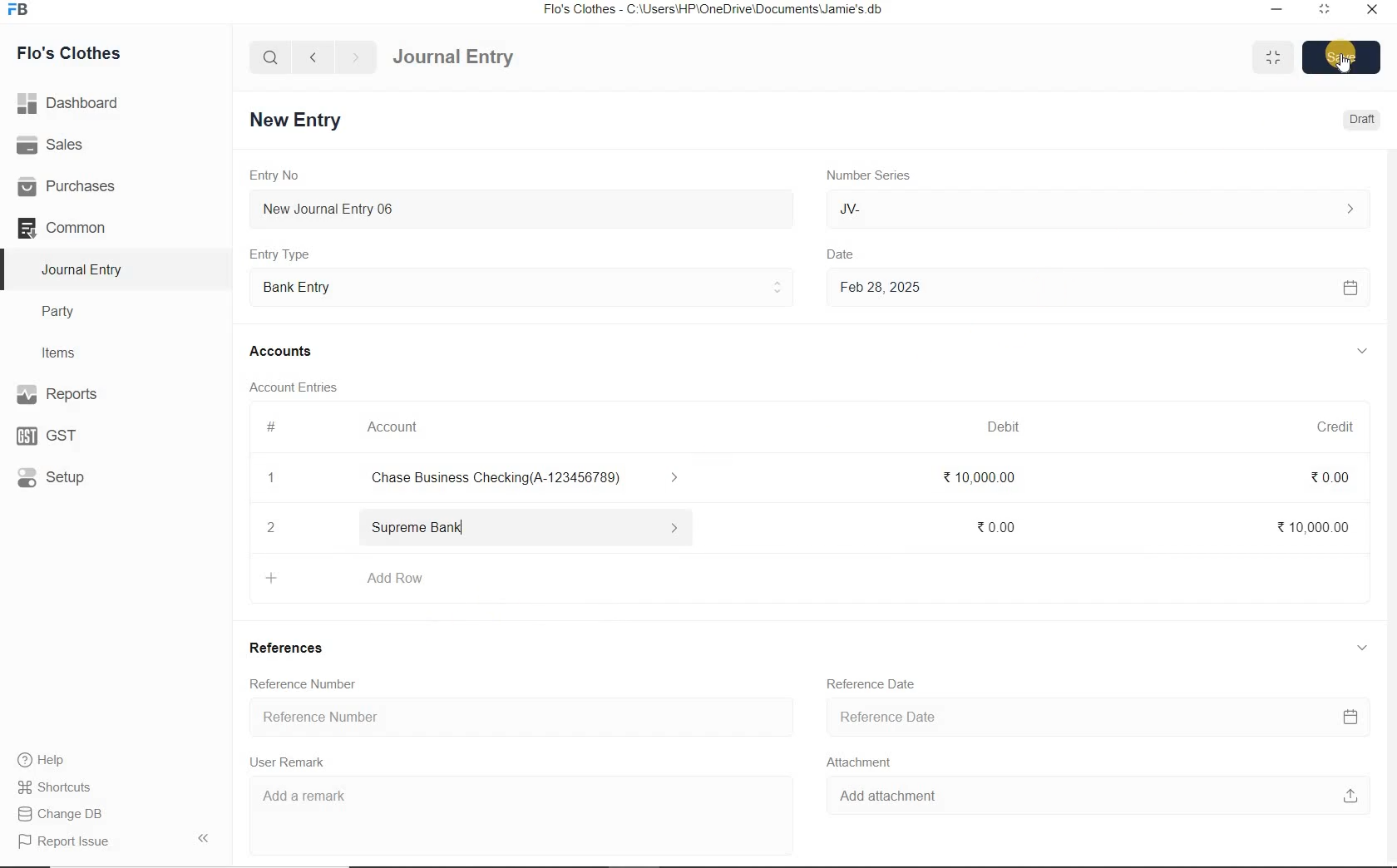  What do you see at coordinates (526, 525) in the screenshot?
I see `Add Row` at bounding box center [526, 525].